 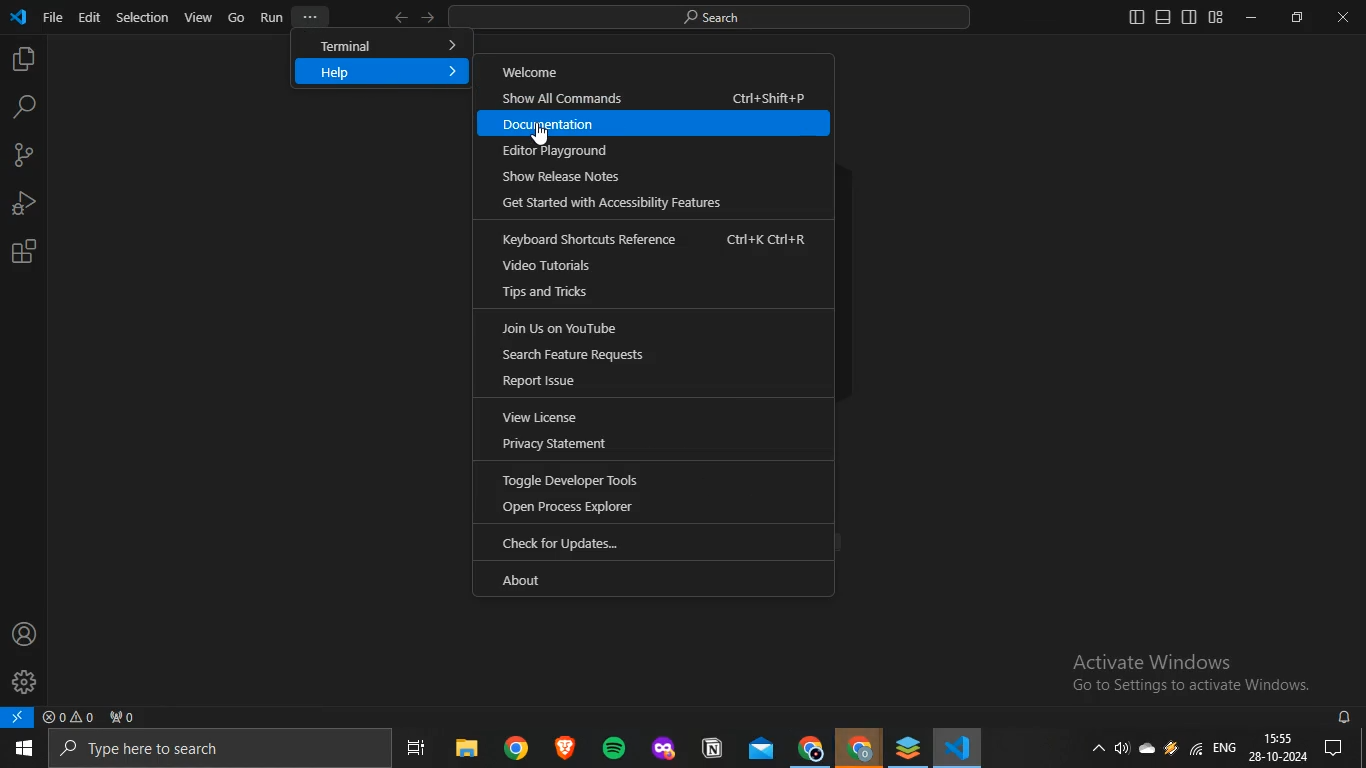 I want to click on search, so click(x=24, y=107).